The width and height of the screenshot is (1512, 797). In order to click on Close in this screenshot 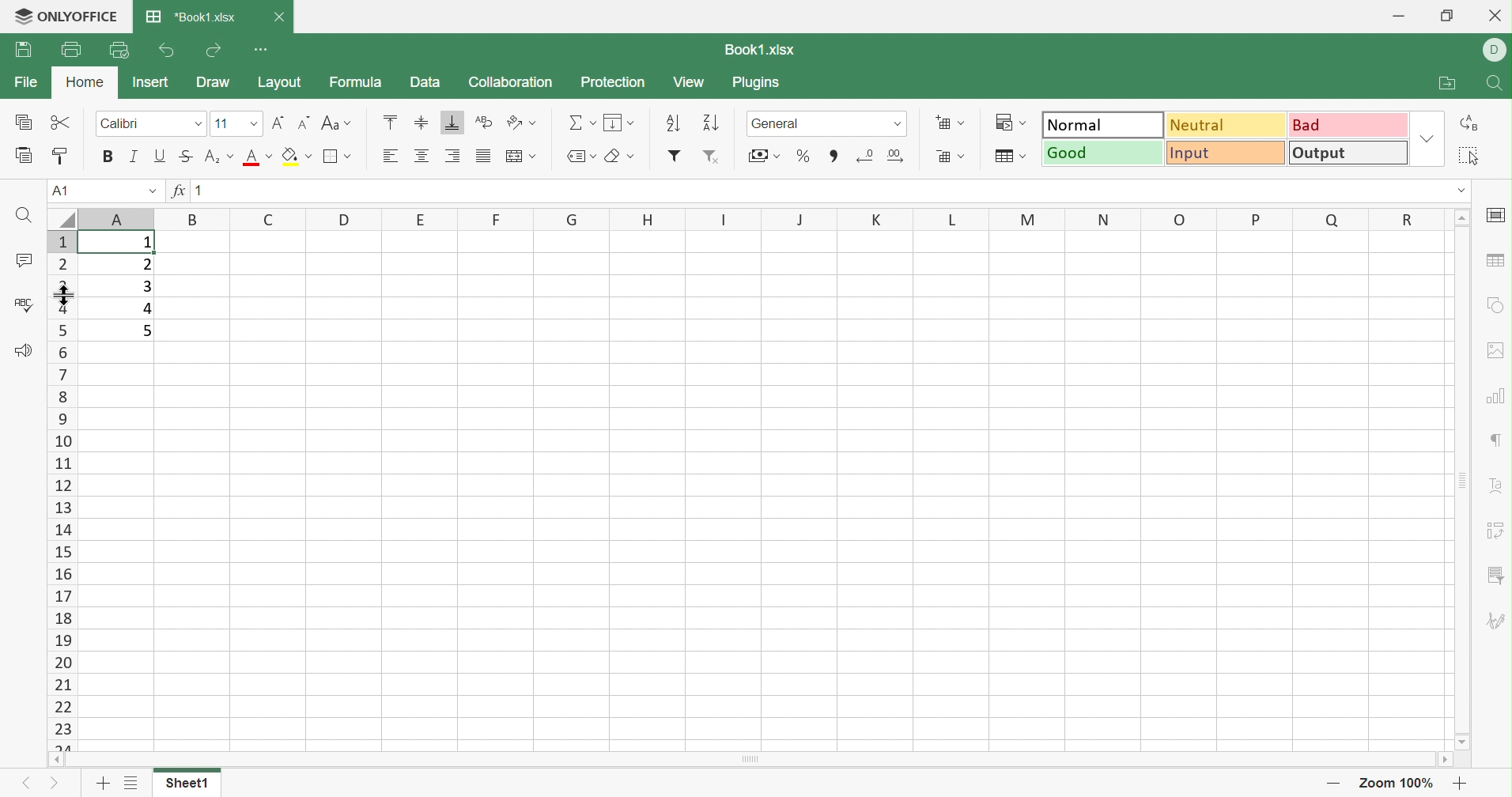, I will do `click(1494, 15)`.